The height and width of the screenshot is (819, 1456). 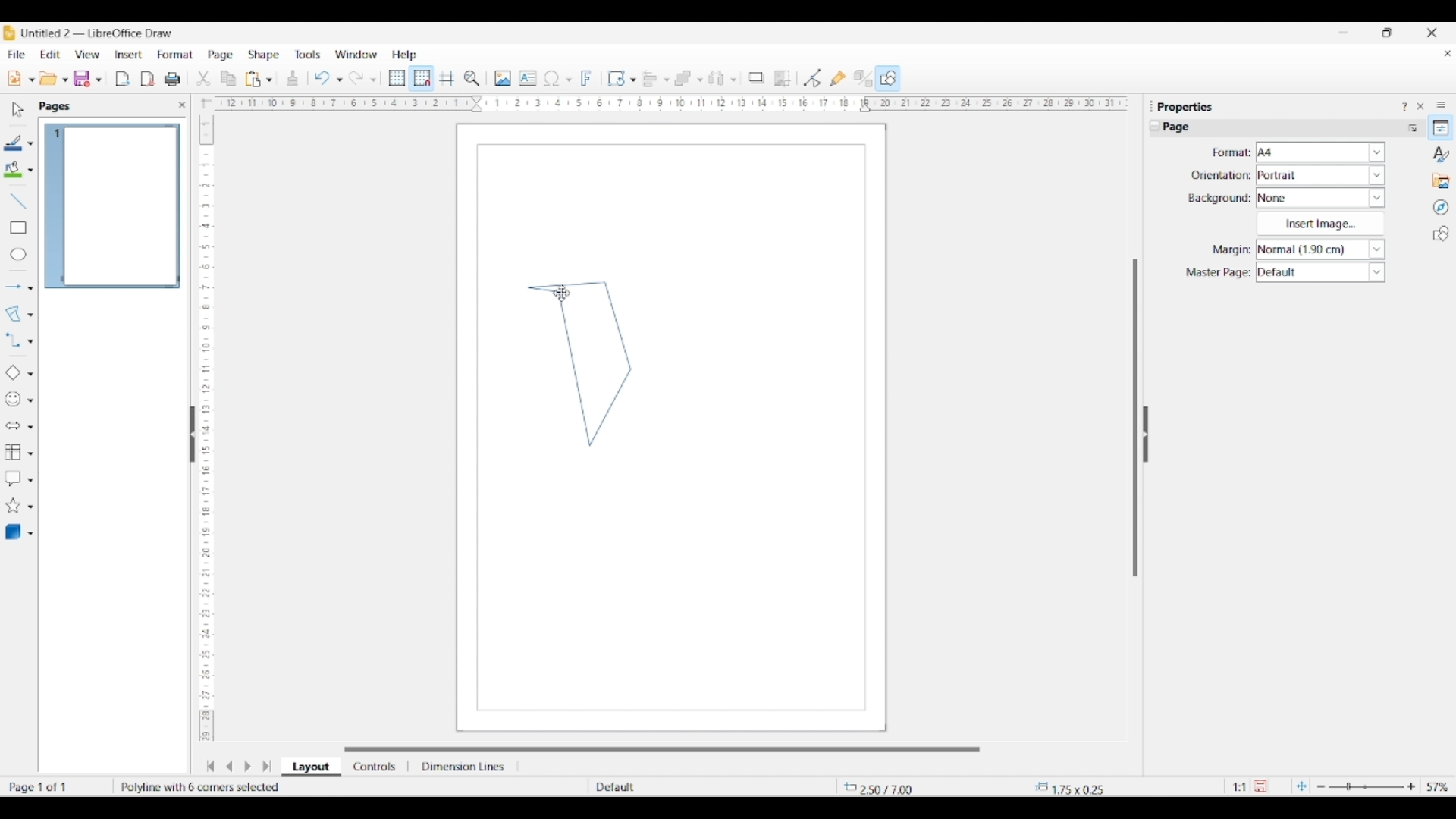 I want to click on Clone formatting, so click(x=293, y=78).